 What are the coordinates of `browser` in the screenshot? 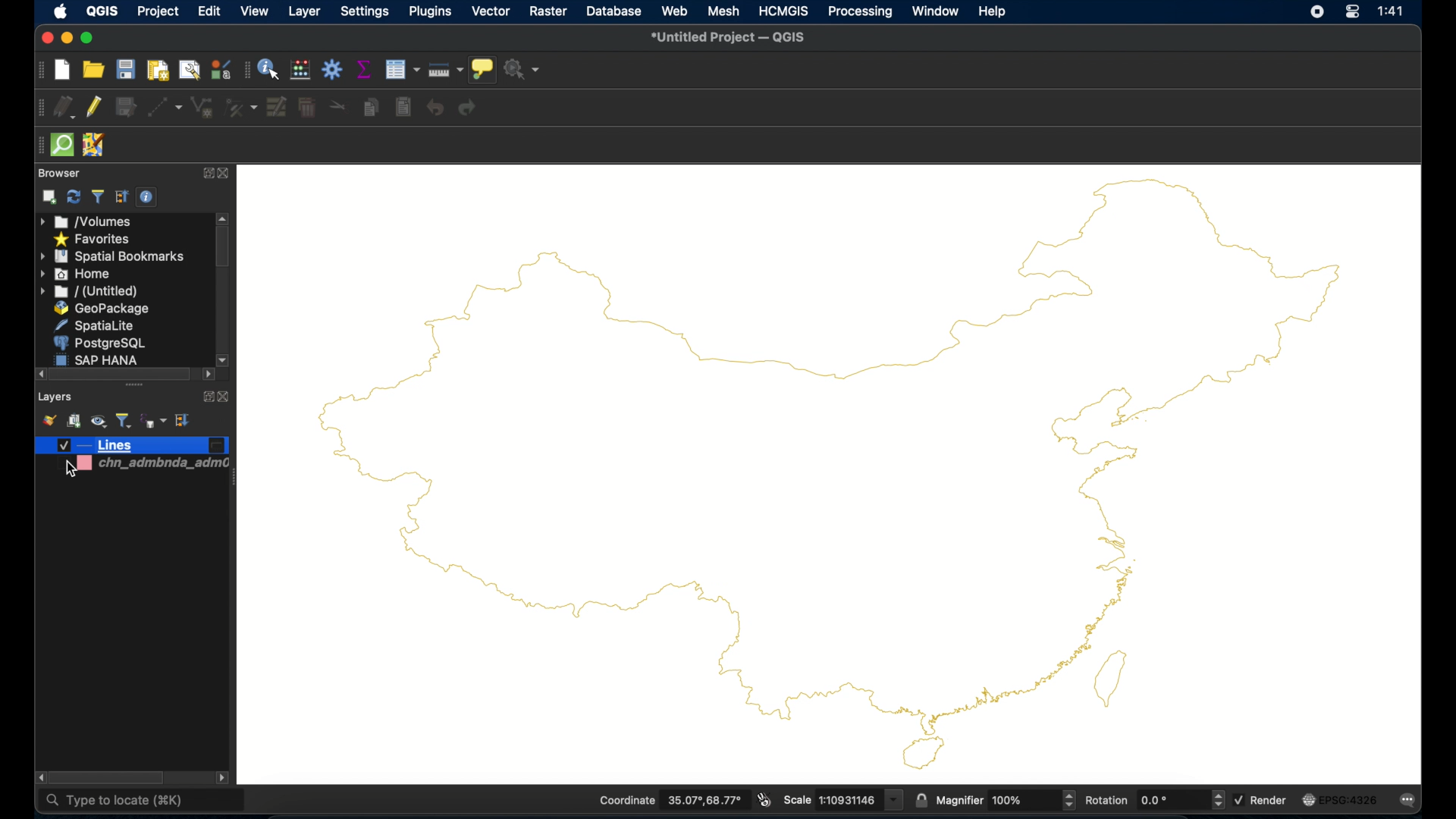 It's located at (59, 173).